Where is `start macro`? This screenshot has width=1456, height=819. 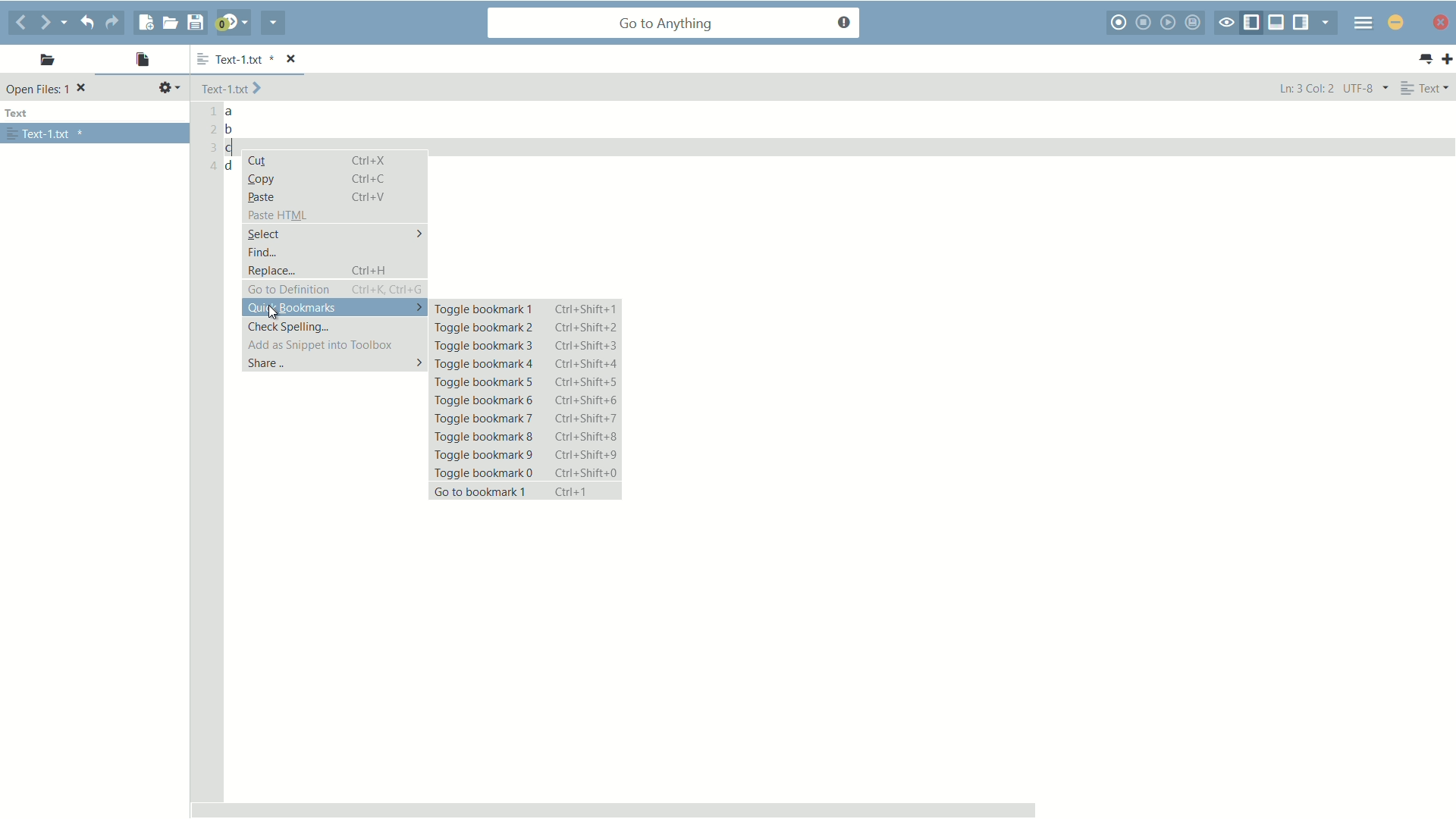
start macro is located at coordinates (1121, 24).